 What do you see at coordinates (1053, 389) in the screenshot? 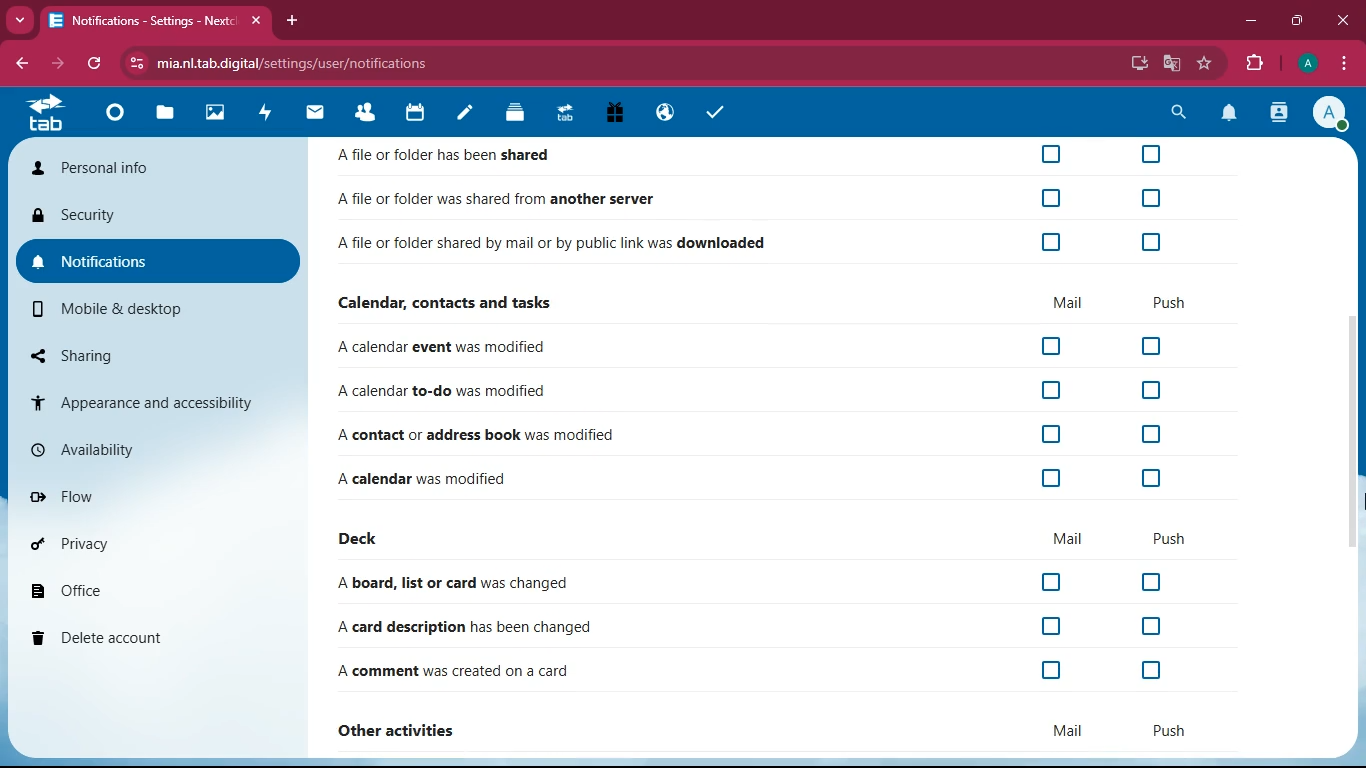
I see `off` at bounding box center [1053, 389].